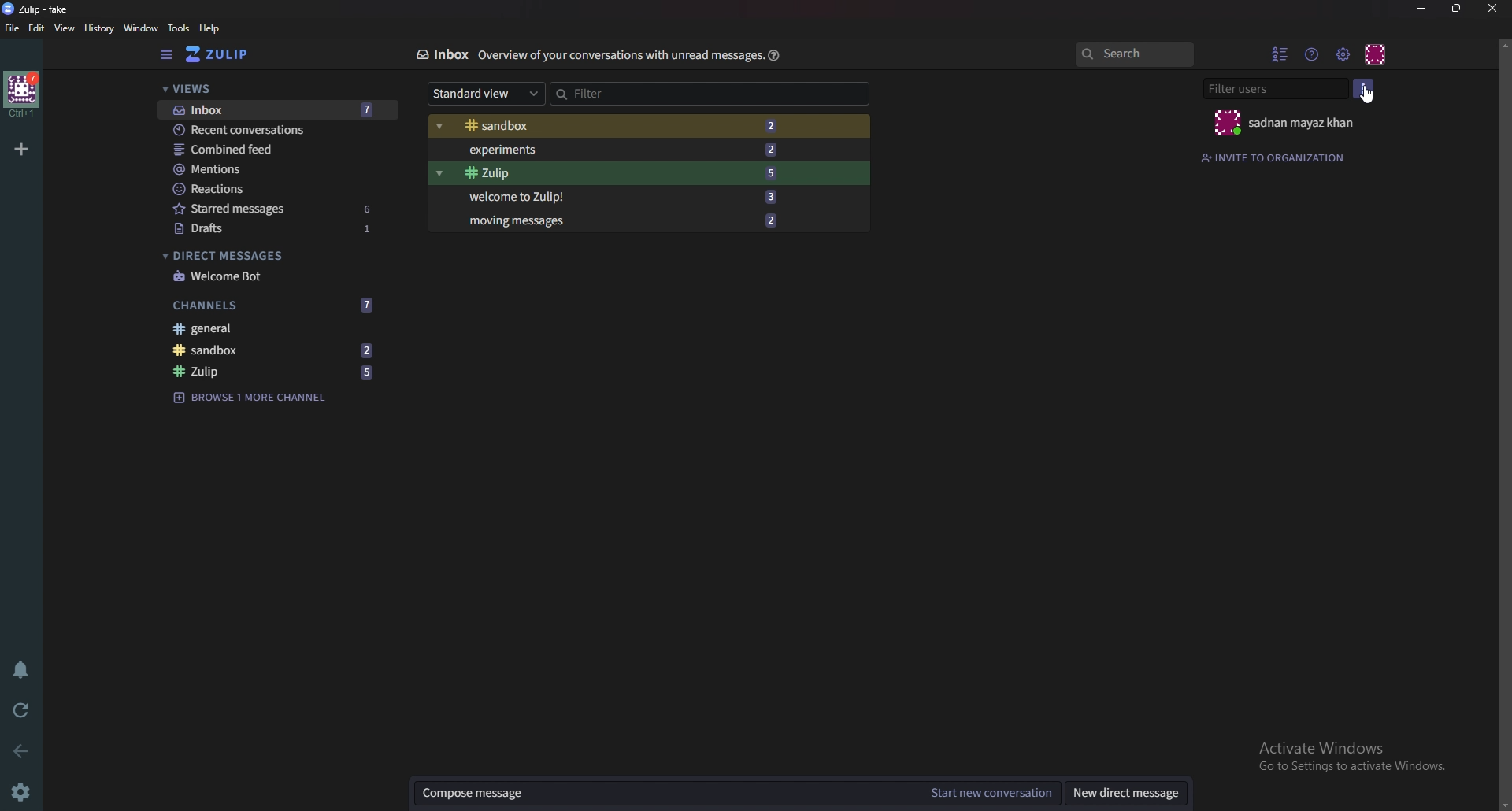  What do you see at coordinates (616, 55) in the screenshot?
I see `Info` at bounding box center [616, 55].